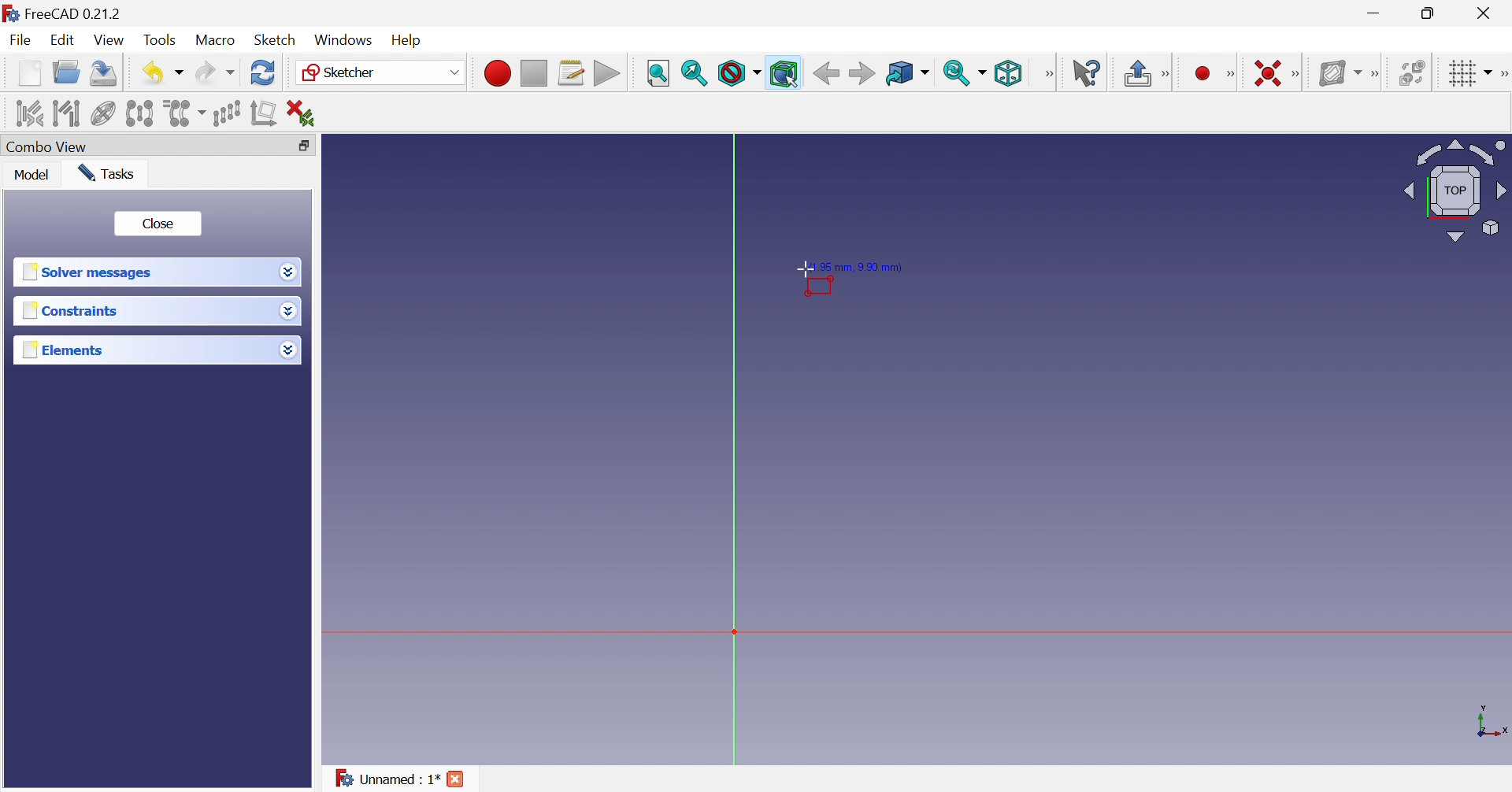  What do you see at coordinates (65, 350) in the screenshot?
I see `Elements` at bounding box center [65, 350].